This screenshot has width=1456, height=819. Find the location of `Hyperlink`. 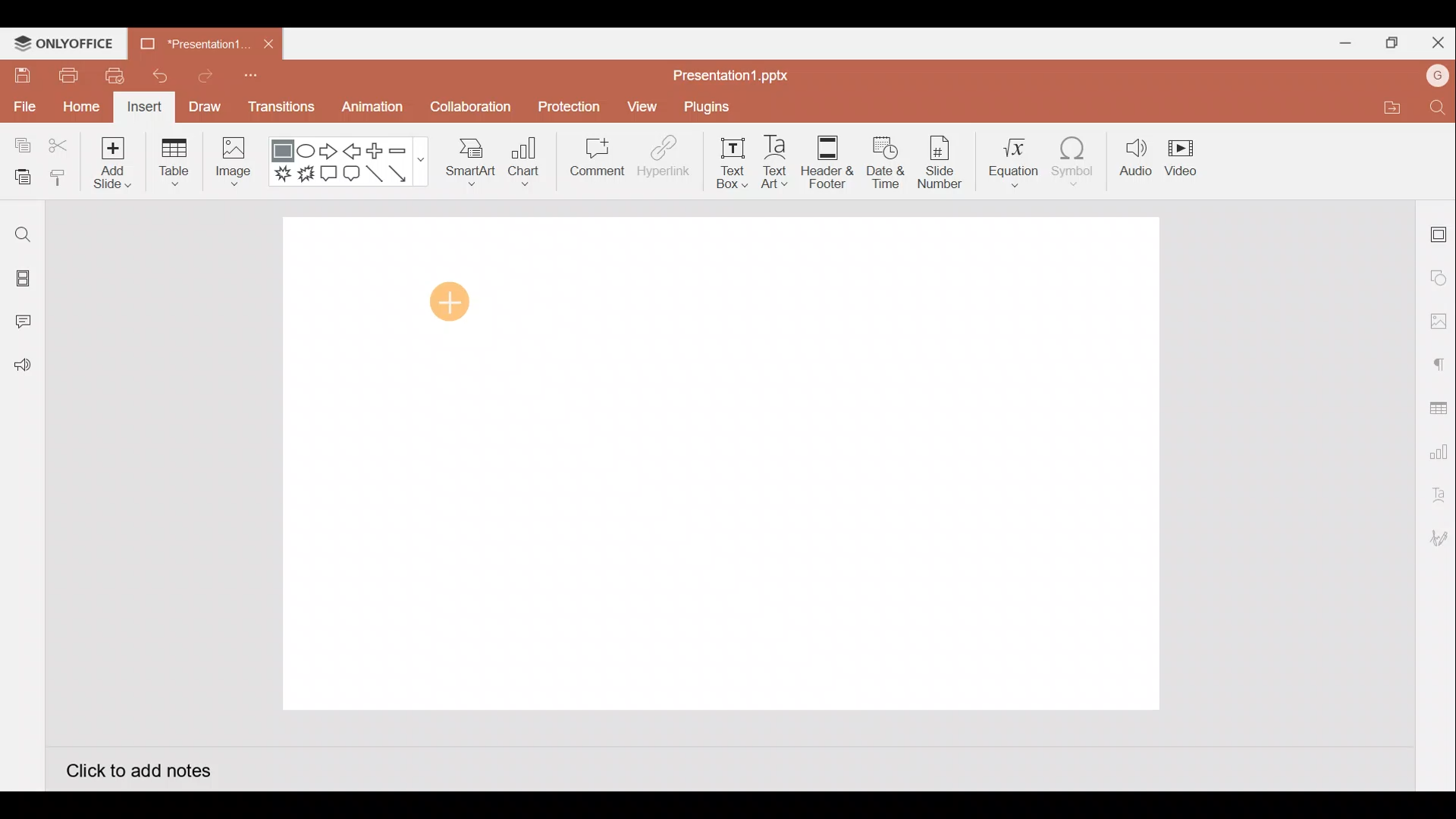

Hyperlink is located at coordinates (660, 158).